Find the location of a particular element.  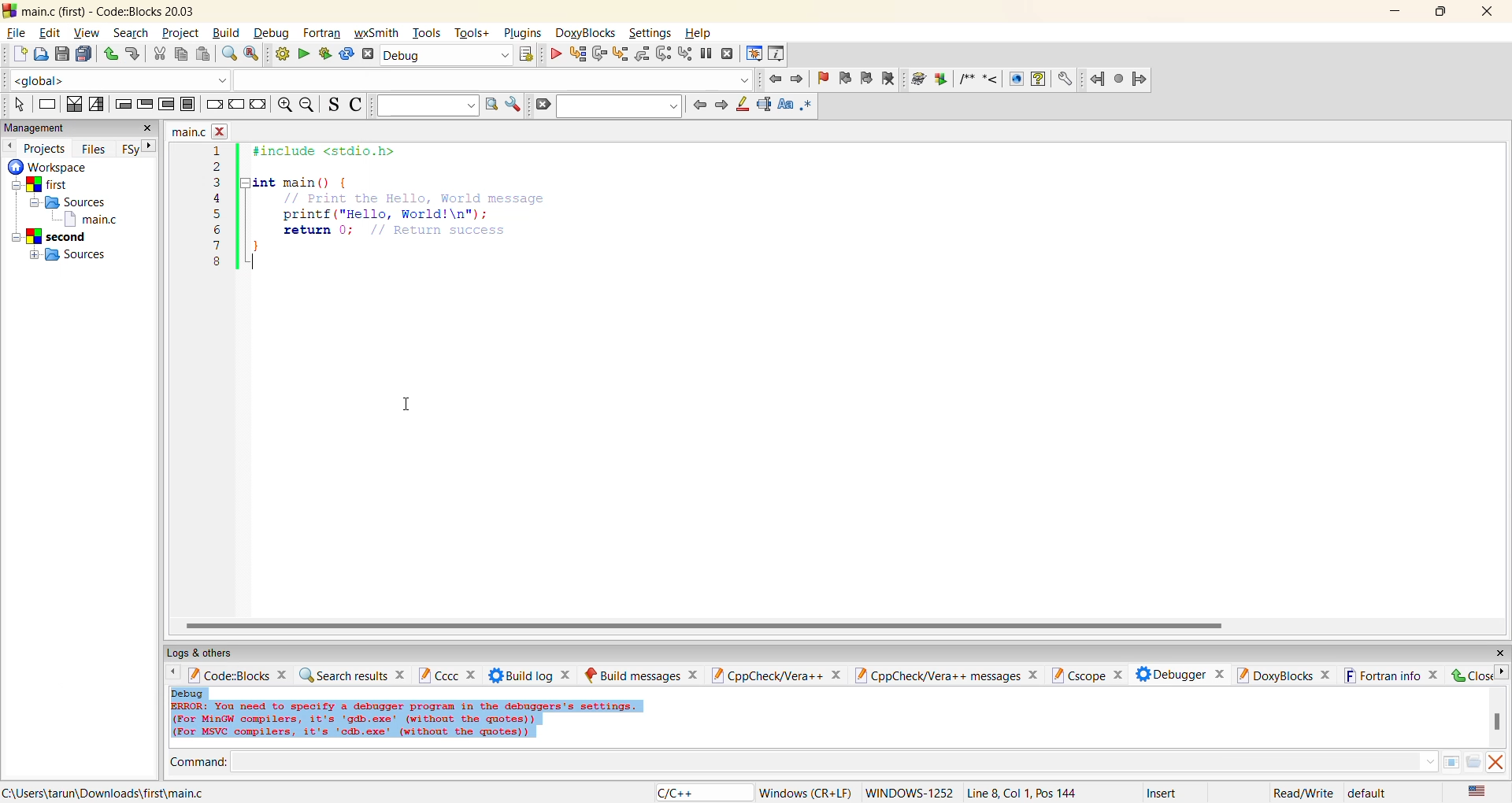

debug data is located at coordinates (441, 721).